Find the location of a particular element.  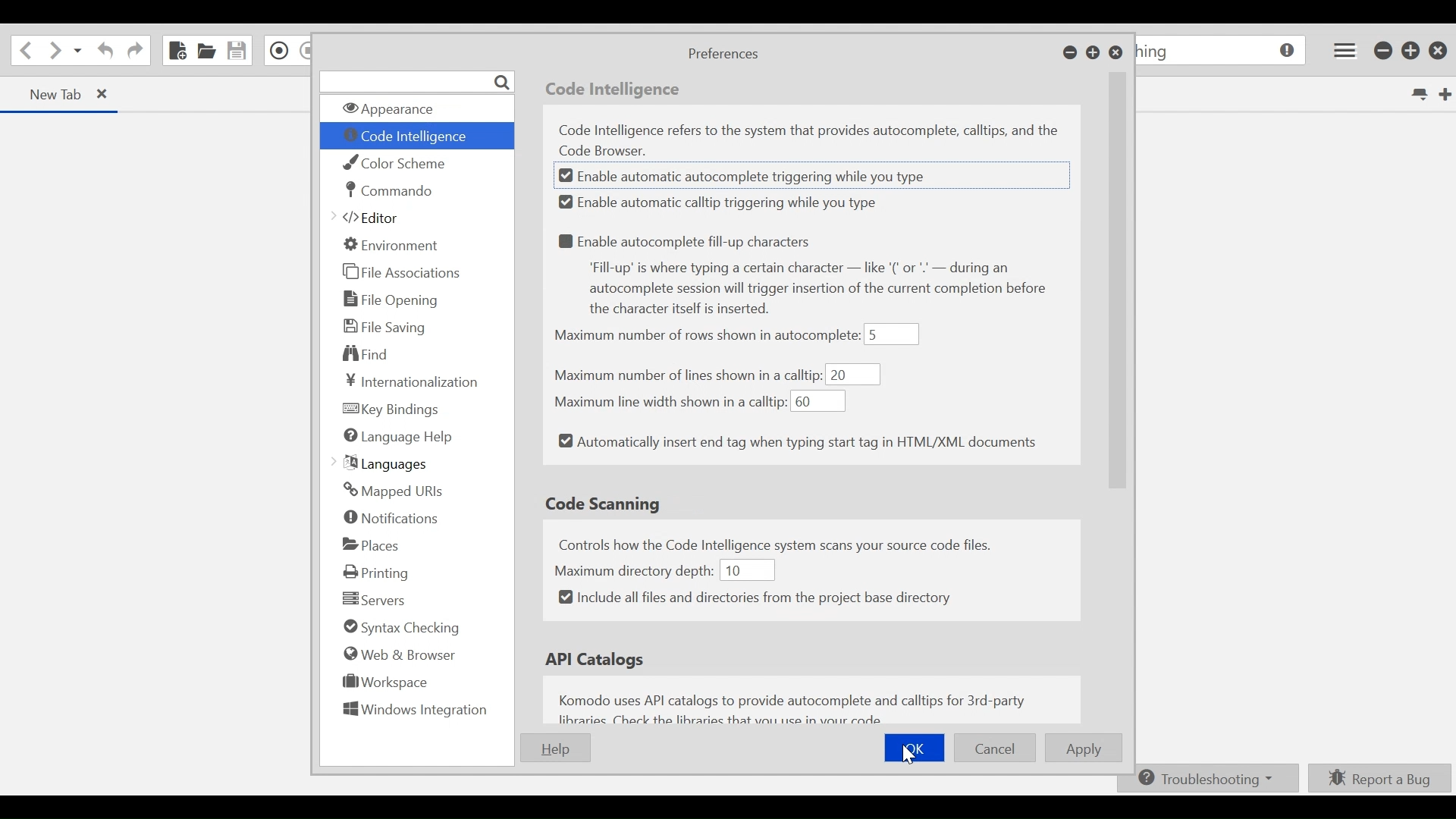

Commando is located at coordinates (389, 190).